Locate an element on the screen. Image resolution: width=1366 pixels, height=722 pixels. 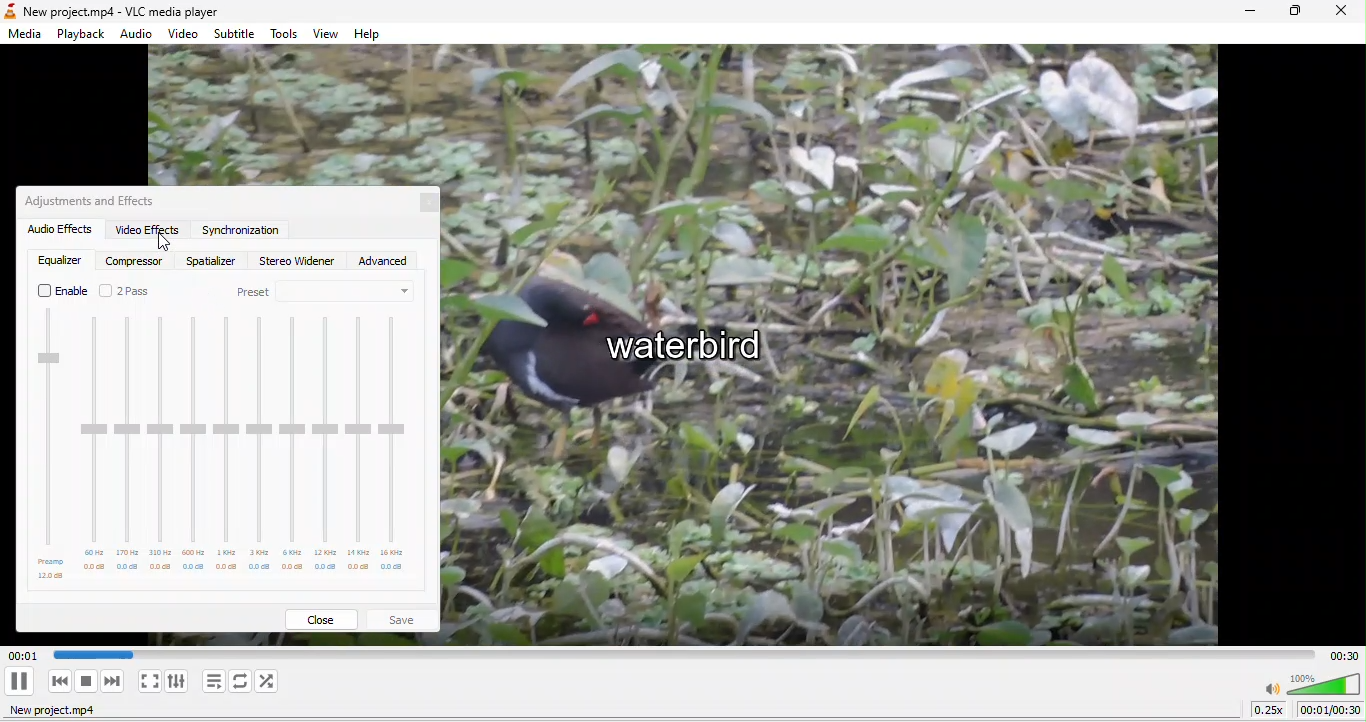
advanced is located at coordinates (389, 259).